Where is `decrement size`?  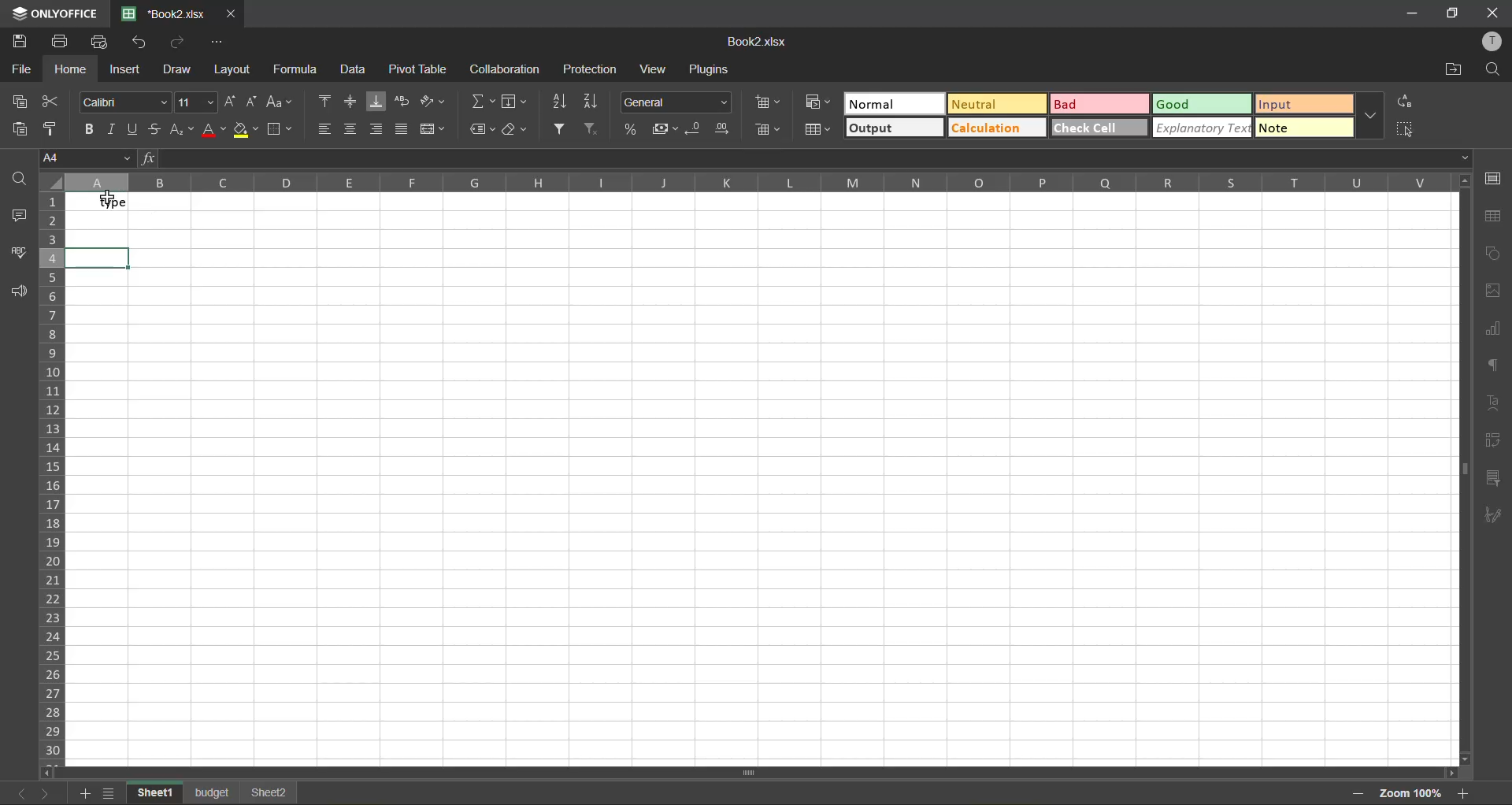 decrement size is located at coordinates (254, 102).